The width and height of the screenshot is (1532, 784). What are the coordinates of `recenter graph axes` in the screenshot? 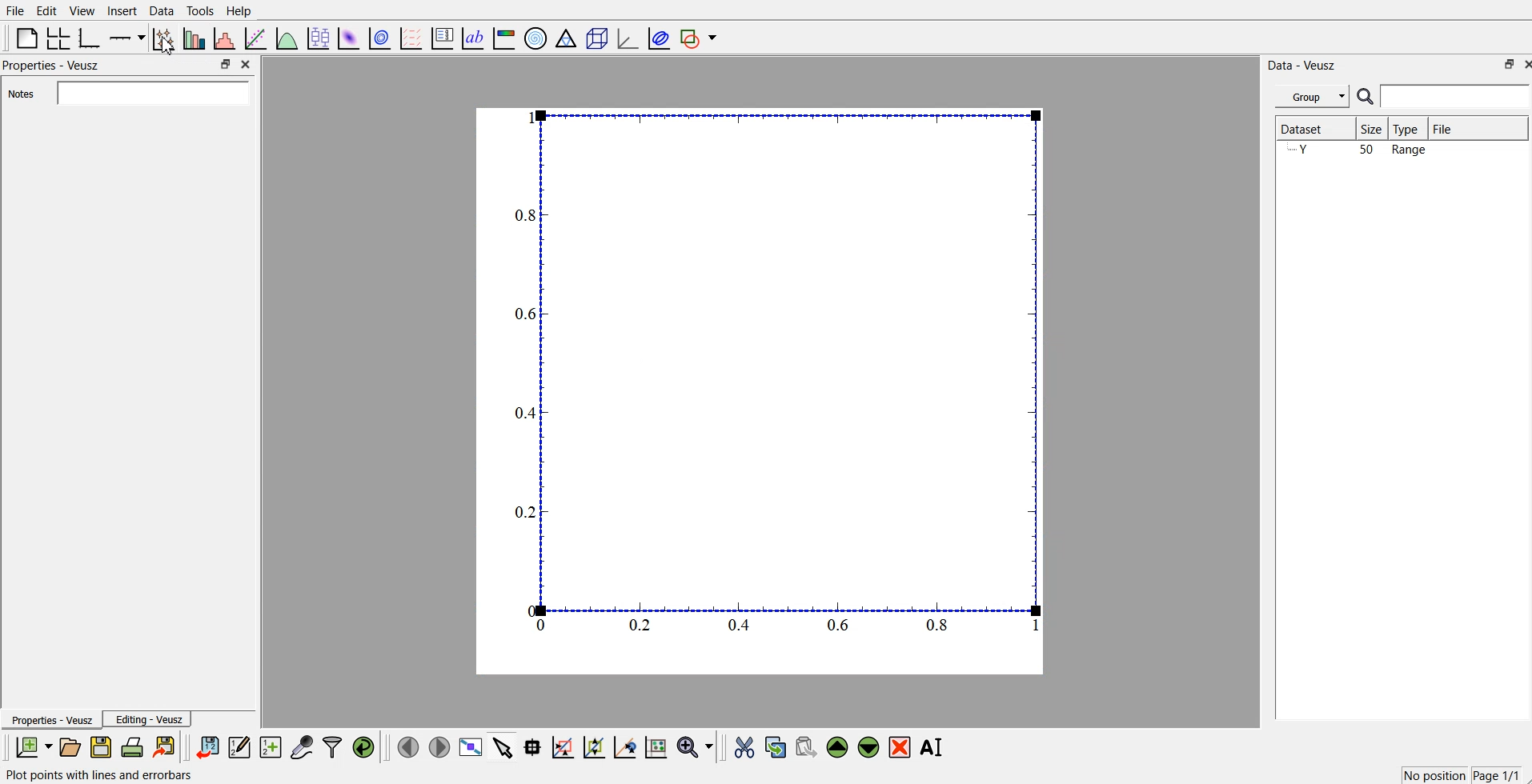 It's located at (624, 747).